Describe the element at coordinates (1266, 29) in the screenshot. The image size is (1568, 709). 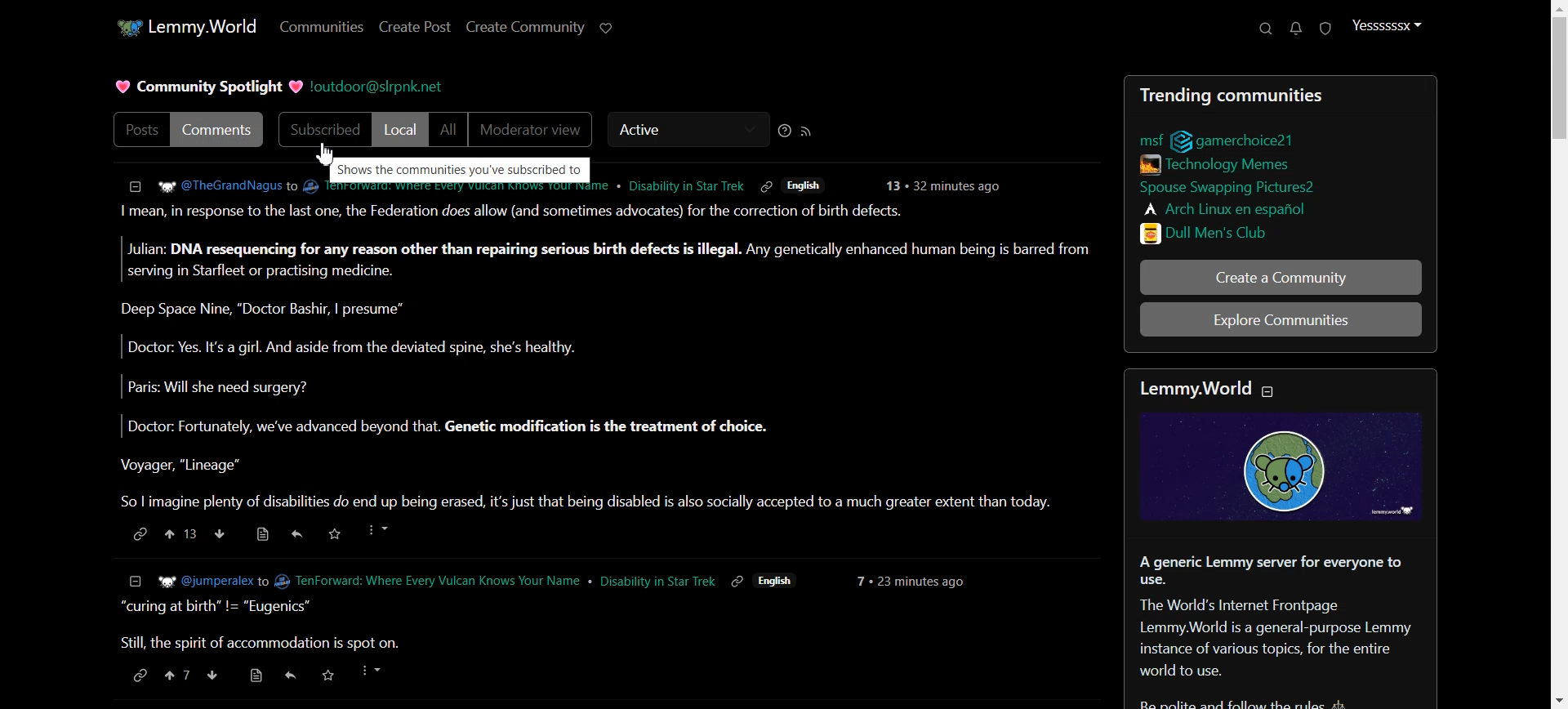
I see `Search` at that location.